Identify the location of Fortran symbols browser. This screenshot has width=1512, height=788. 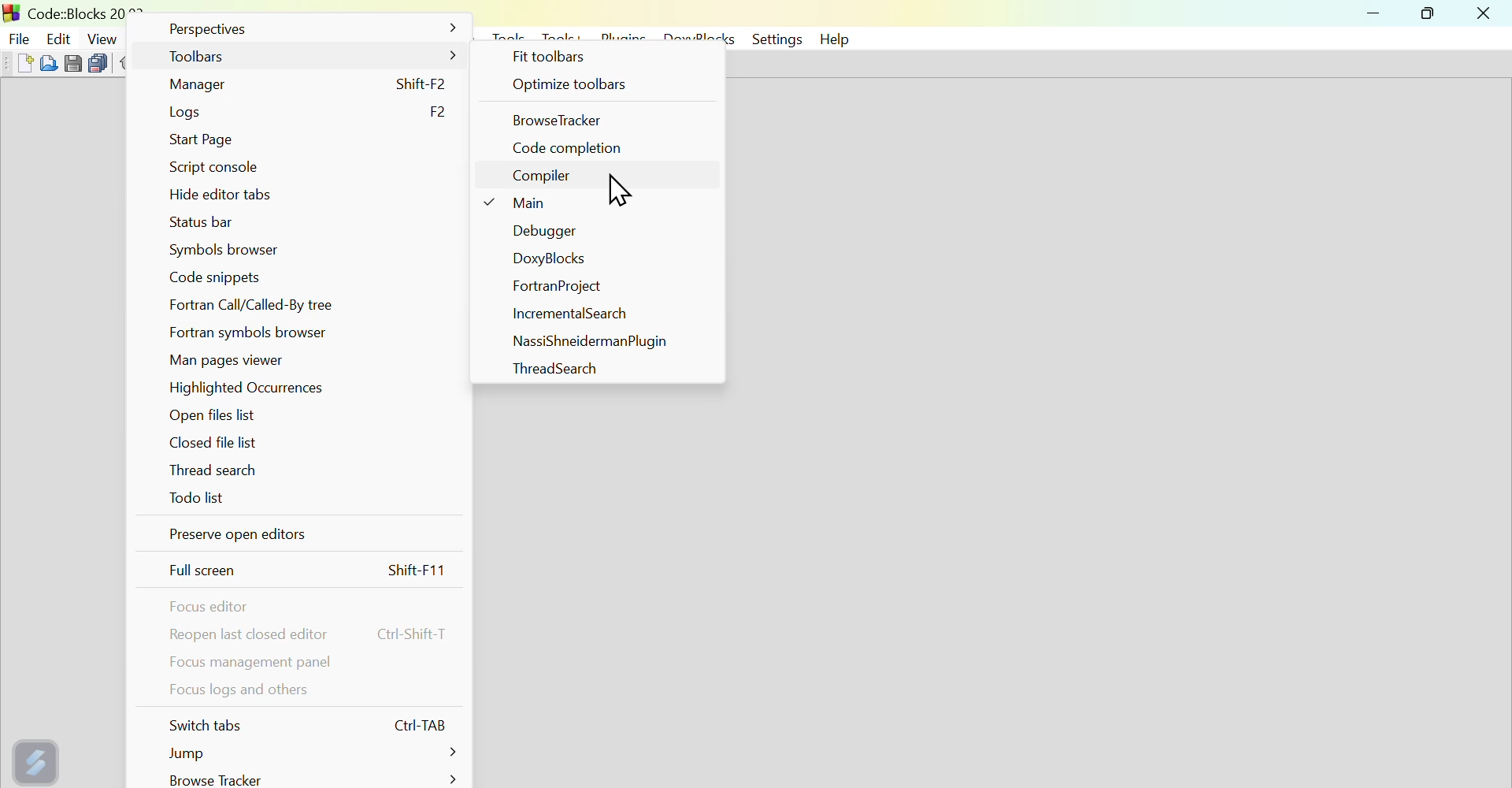
(258, 332).